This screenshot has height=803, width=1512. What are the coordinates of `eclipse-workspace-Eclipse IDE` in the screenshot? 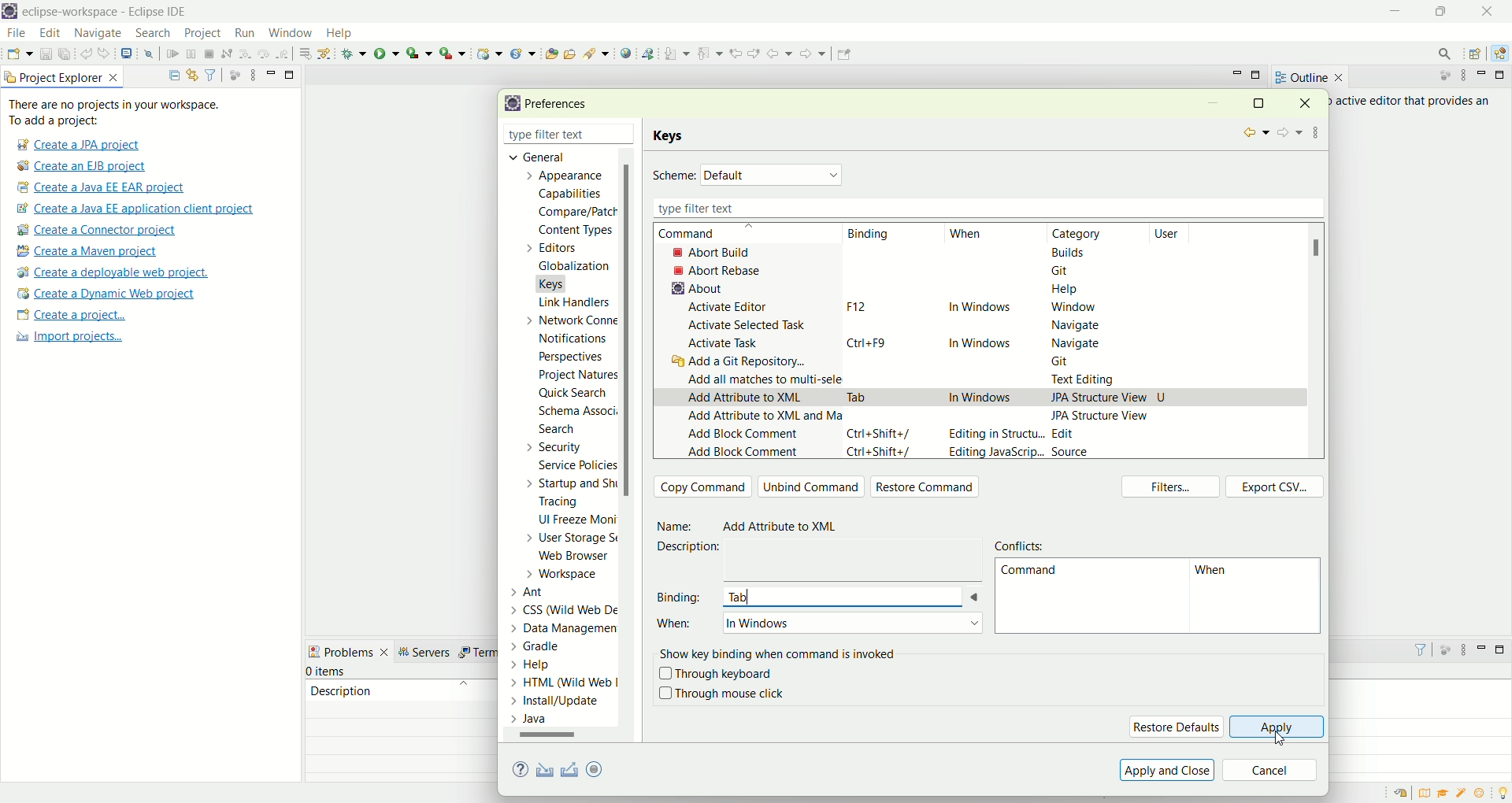 It's located at (103, 13).